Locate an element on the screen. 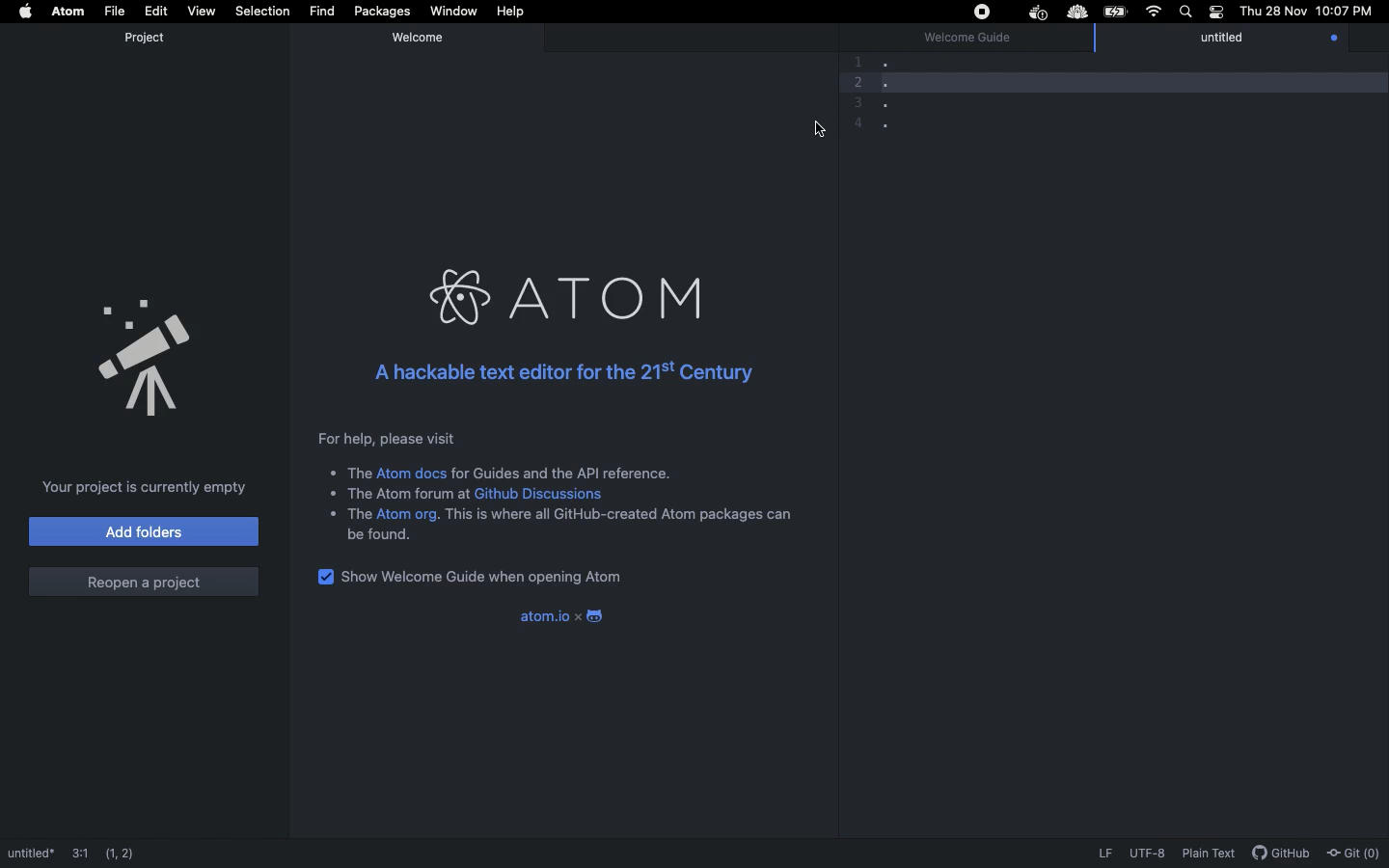 This screenshot has width=1389, height=868. extension is located at coordinates (1079, 13).